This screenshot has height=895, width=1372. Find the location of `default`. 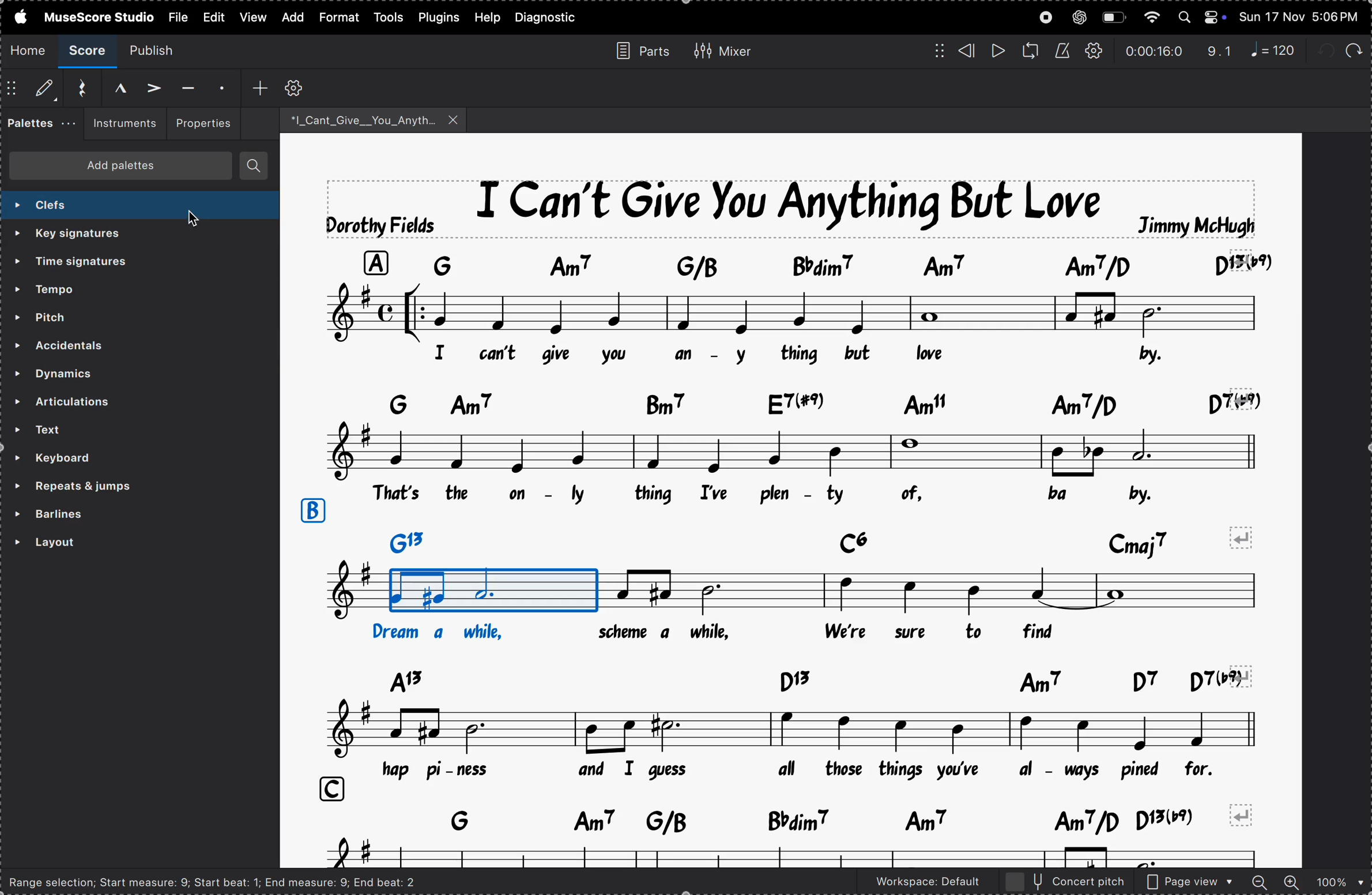

default is located at coordinates (33, 90).